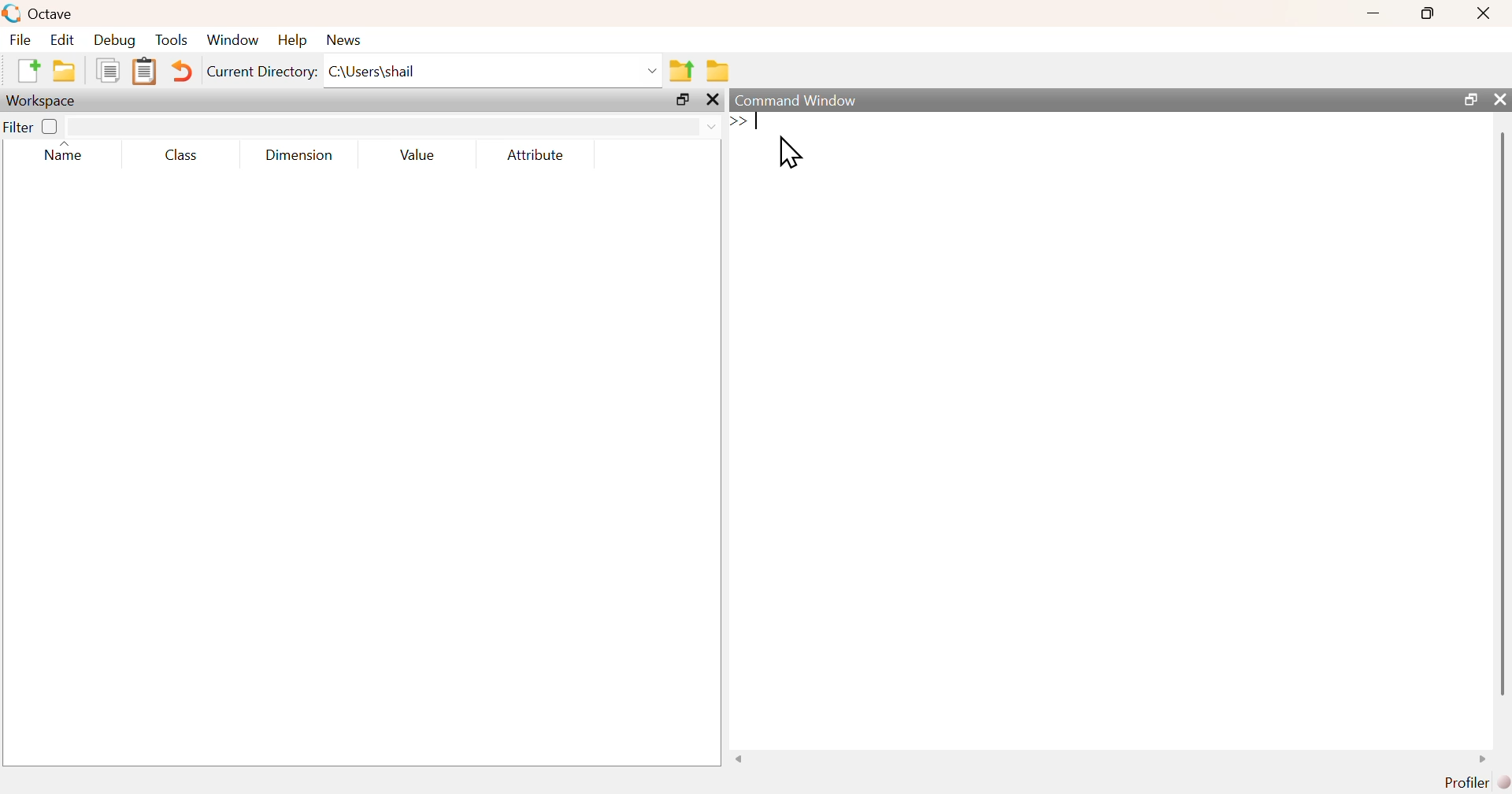 This screenshot has width=1512, height=794. Describe the element at coordinates (52, 13) in the screenshot. I see `Octave` at that location.